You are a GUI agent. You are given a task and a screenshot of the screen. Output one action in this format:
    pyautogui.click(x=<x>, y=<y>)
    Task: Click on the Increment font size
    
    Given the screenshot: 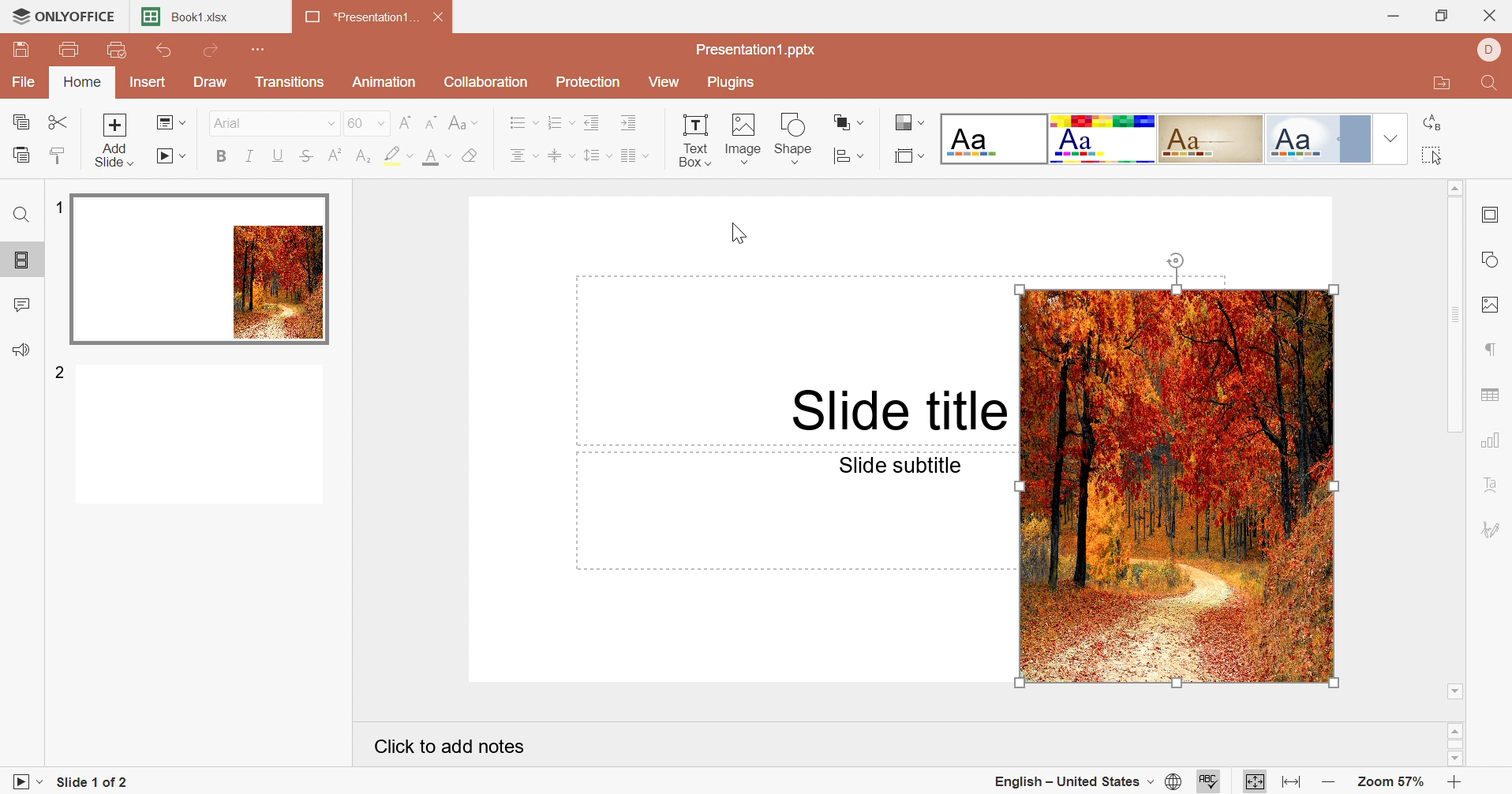 What is the action you would take?
    pyautogui.click(x=405, y=123)
    